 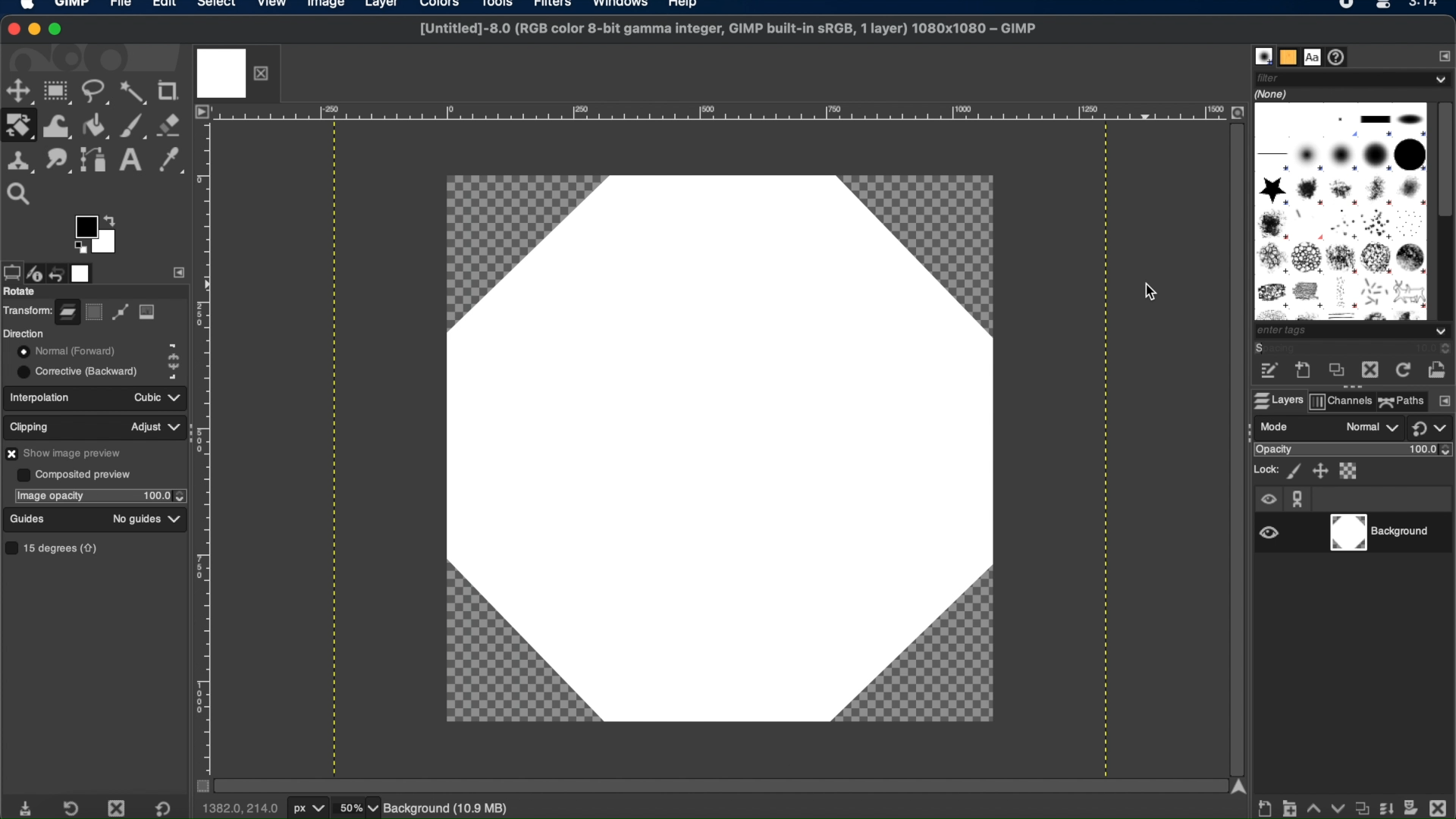 I want to click on restore tool preset, so click(x=74, y=807).